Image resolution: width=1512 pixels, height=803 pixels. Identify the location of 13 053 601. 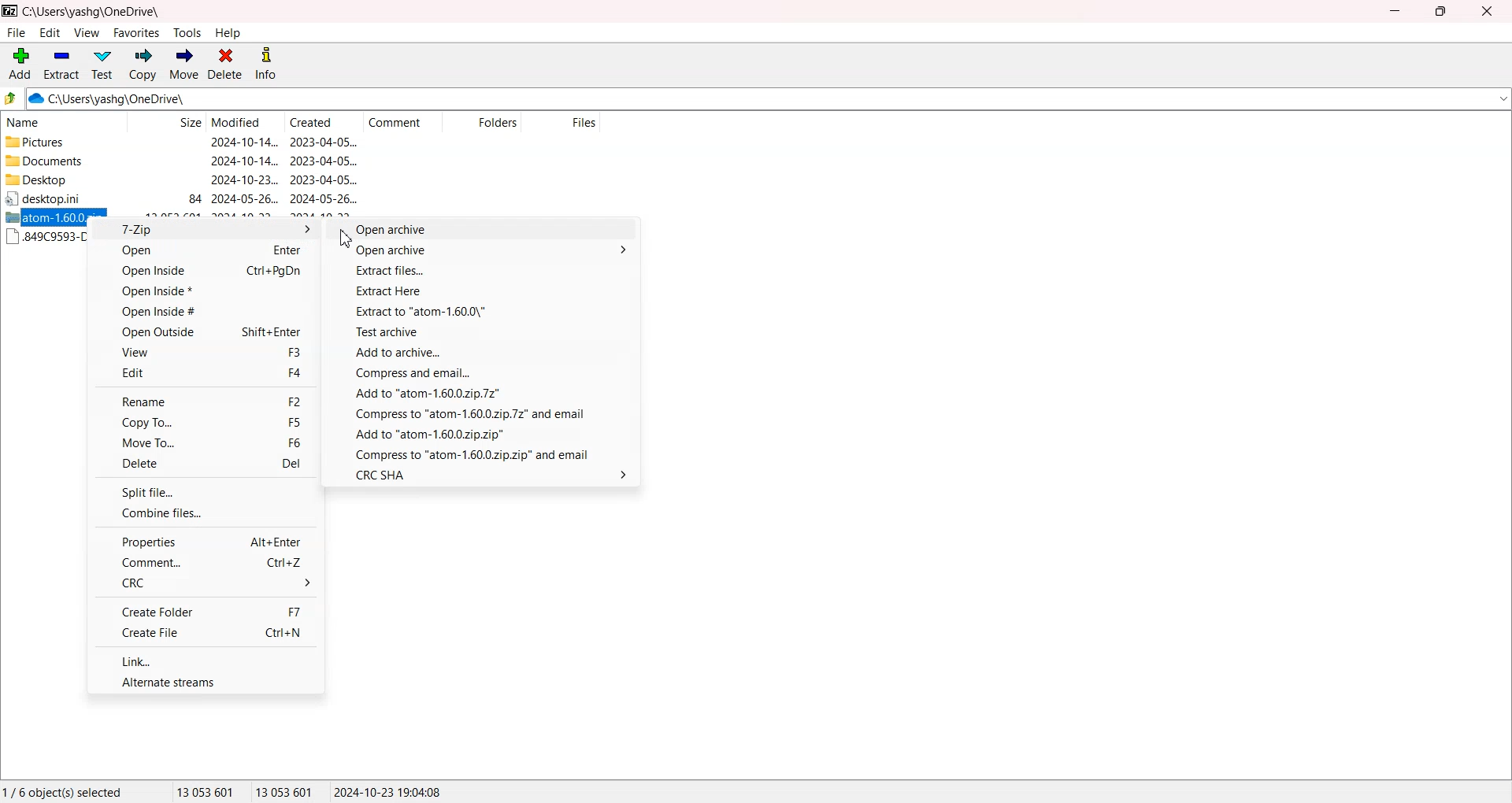
(285, 791).